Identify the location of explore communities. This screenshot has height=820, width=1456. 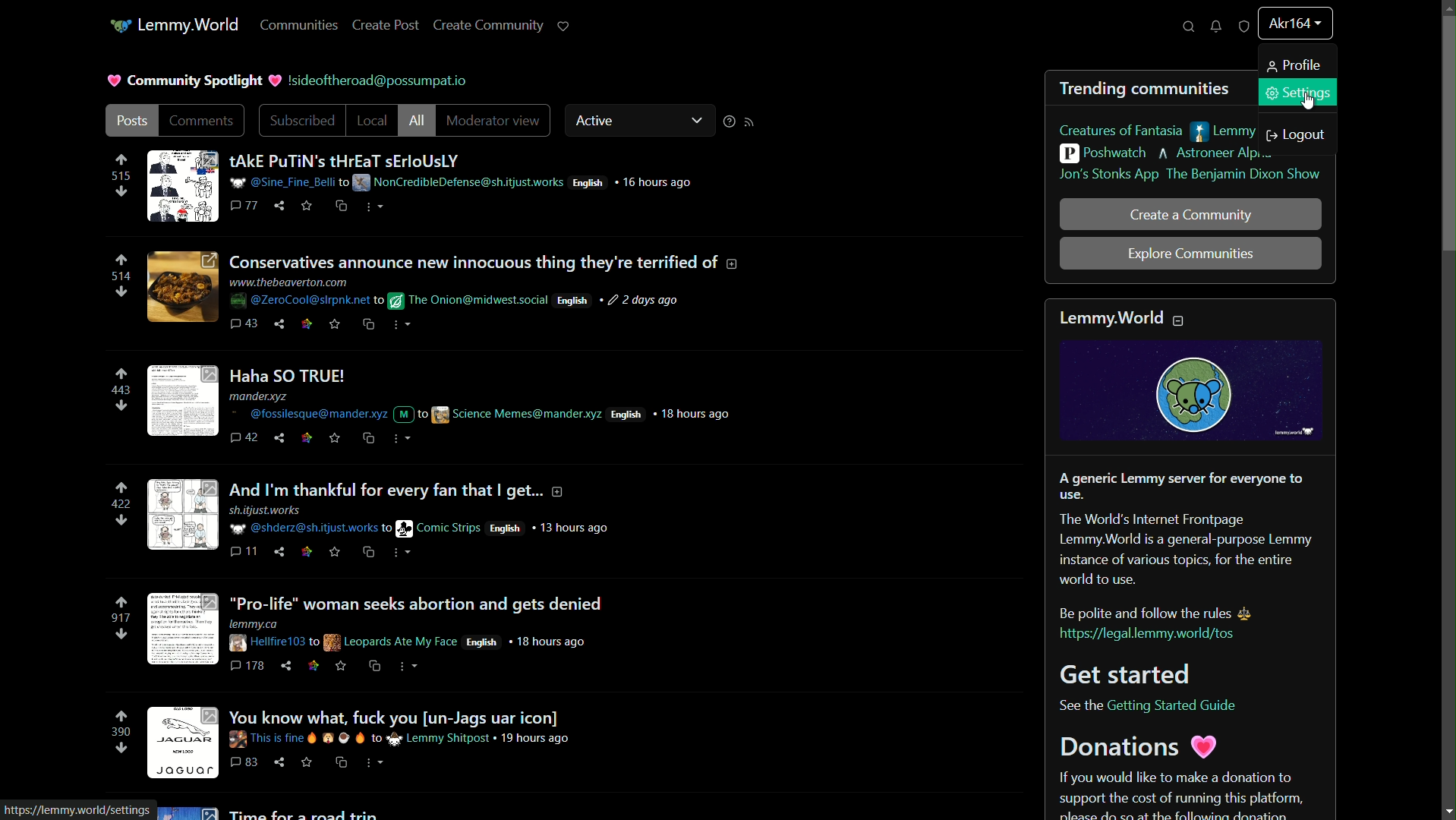
(1189, 254).